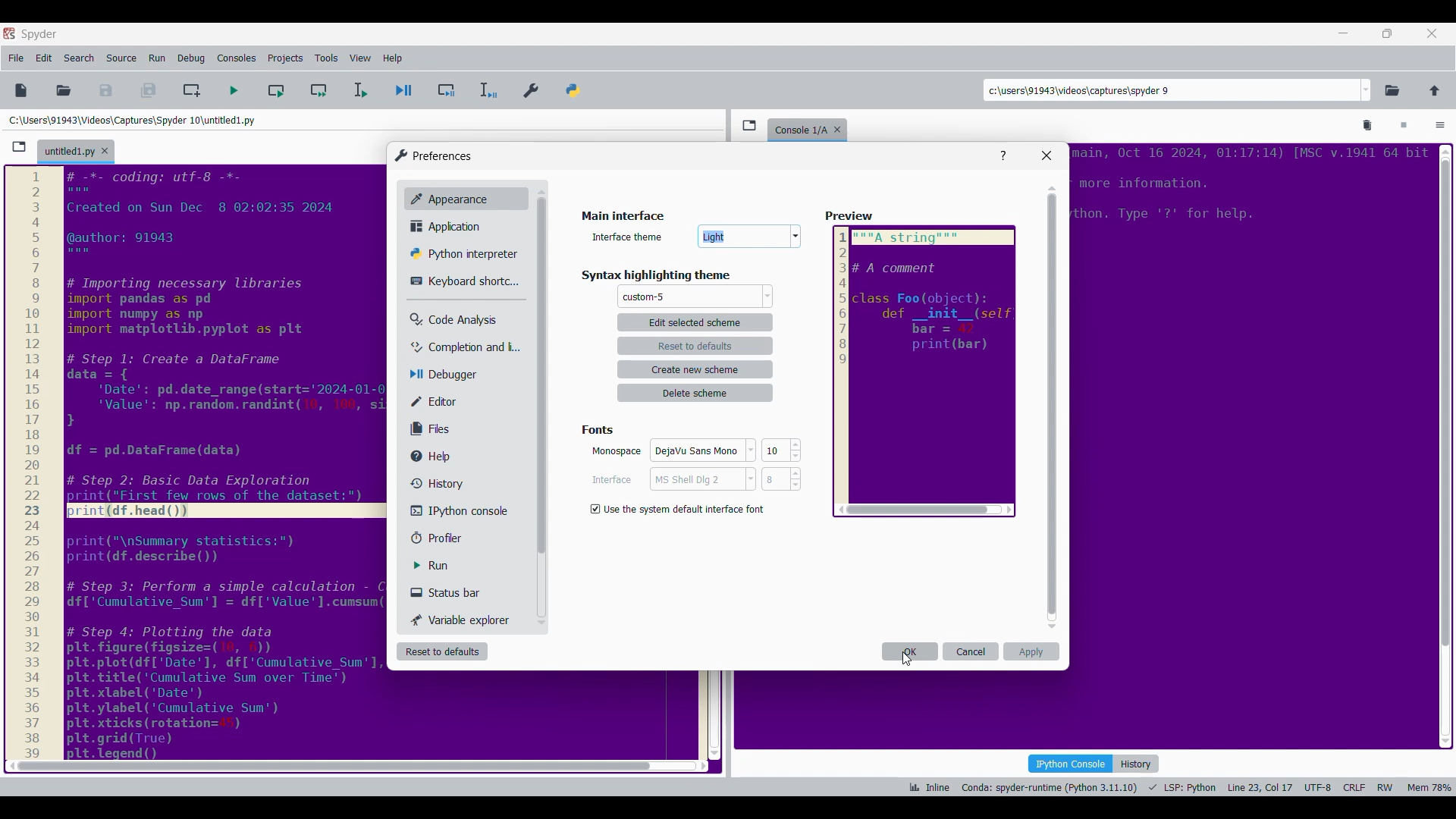 The width and height of the screenshot is (1456, 819). What do you see at coordinates (237, 58) in the screenshot?
I see `Consoles menu` at bounding box center [237, 58].